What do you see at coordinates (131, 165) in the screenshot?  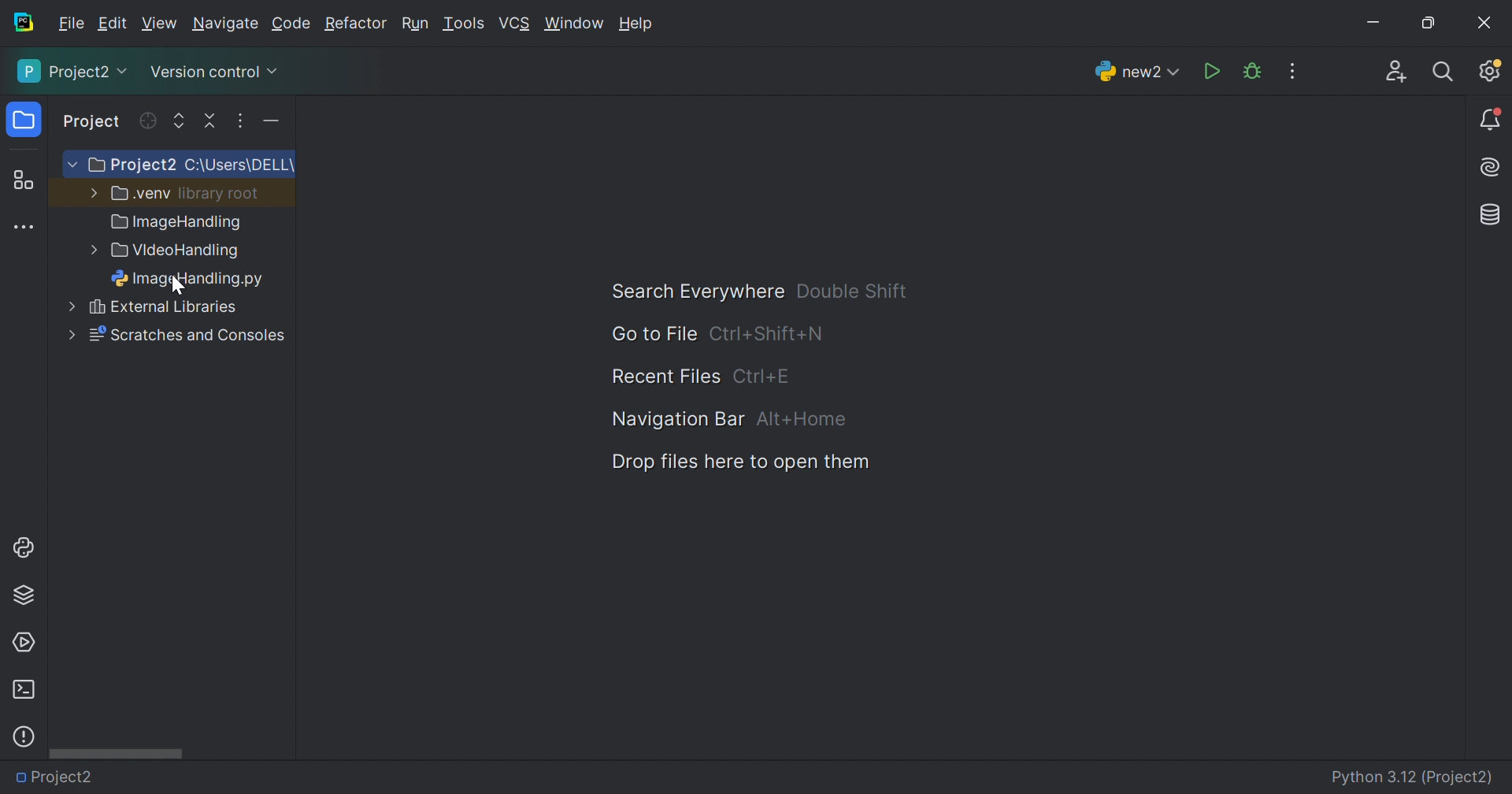 I see `Project2` at bounding box center [131, 165].